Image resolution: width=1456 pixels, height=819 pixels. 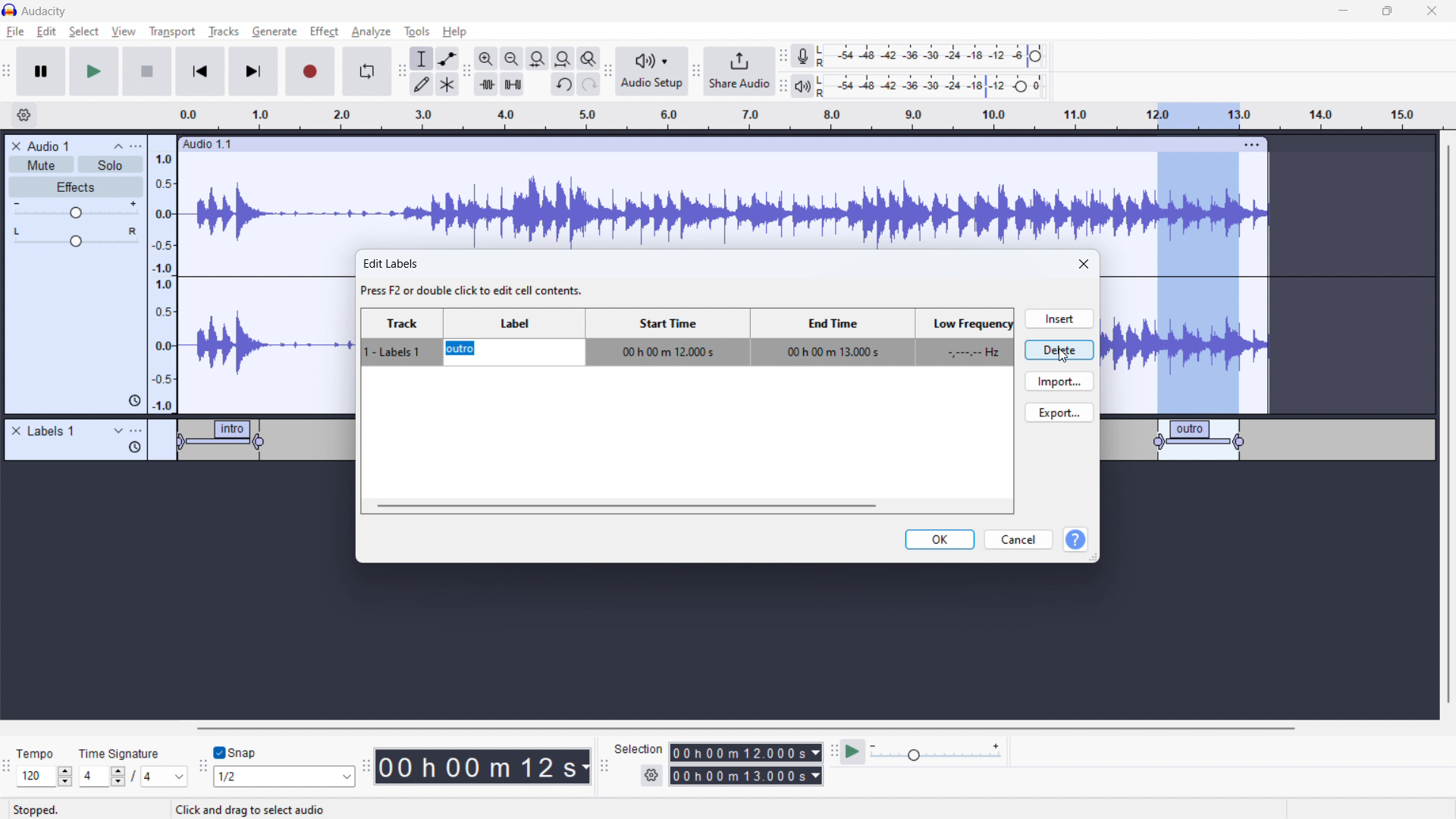 What do you see at coordinates (708, 145) in the screenshot?
I see `click to move` at bounding box center [708, 145].